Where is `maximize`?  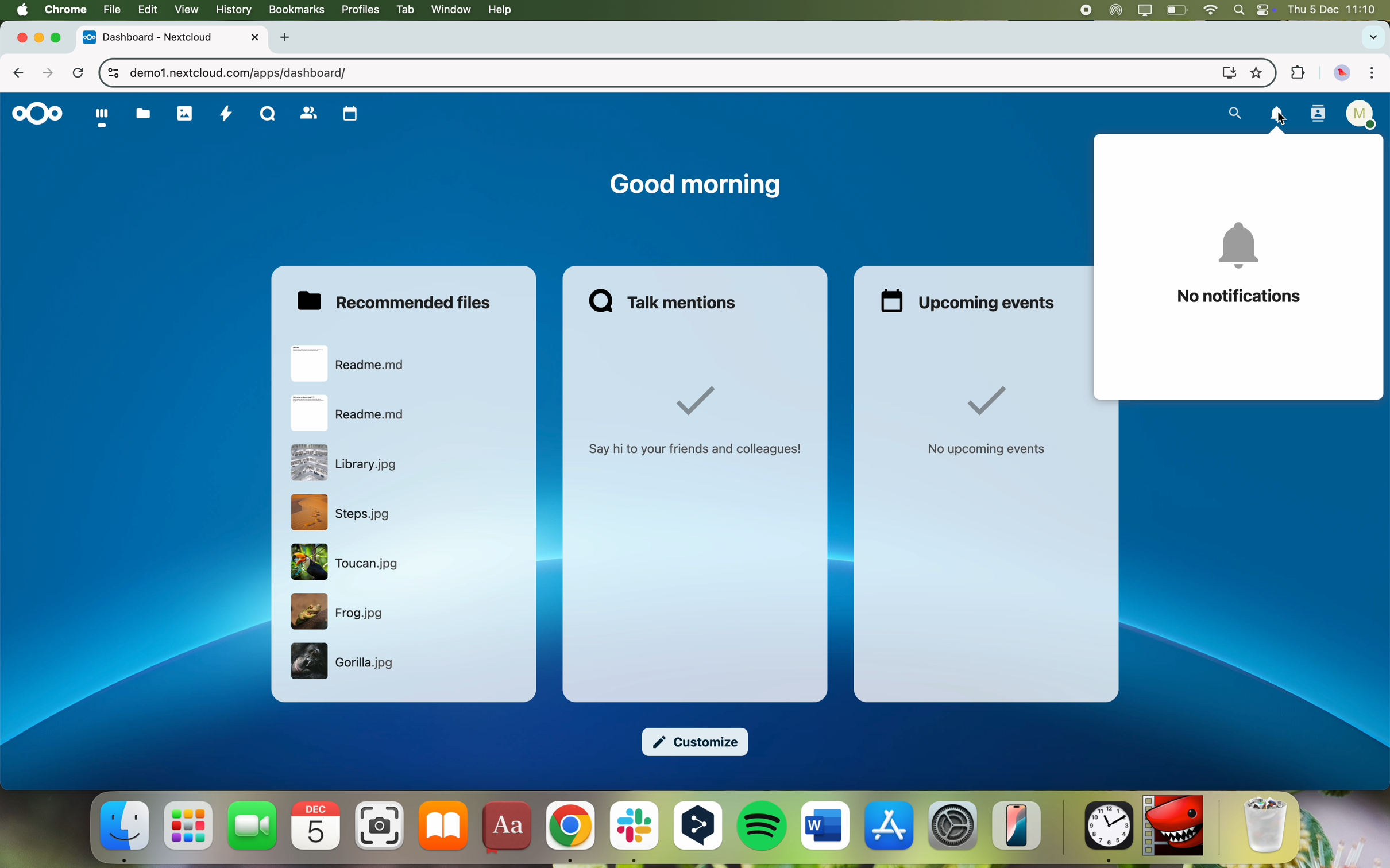 maximize is located at coordinates (60, 38).